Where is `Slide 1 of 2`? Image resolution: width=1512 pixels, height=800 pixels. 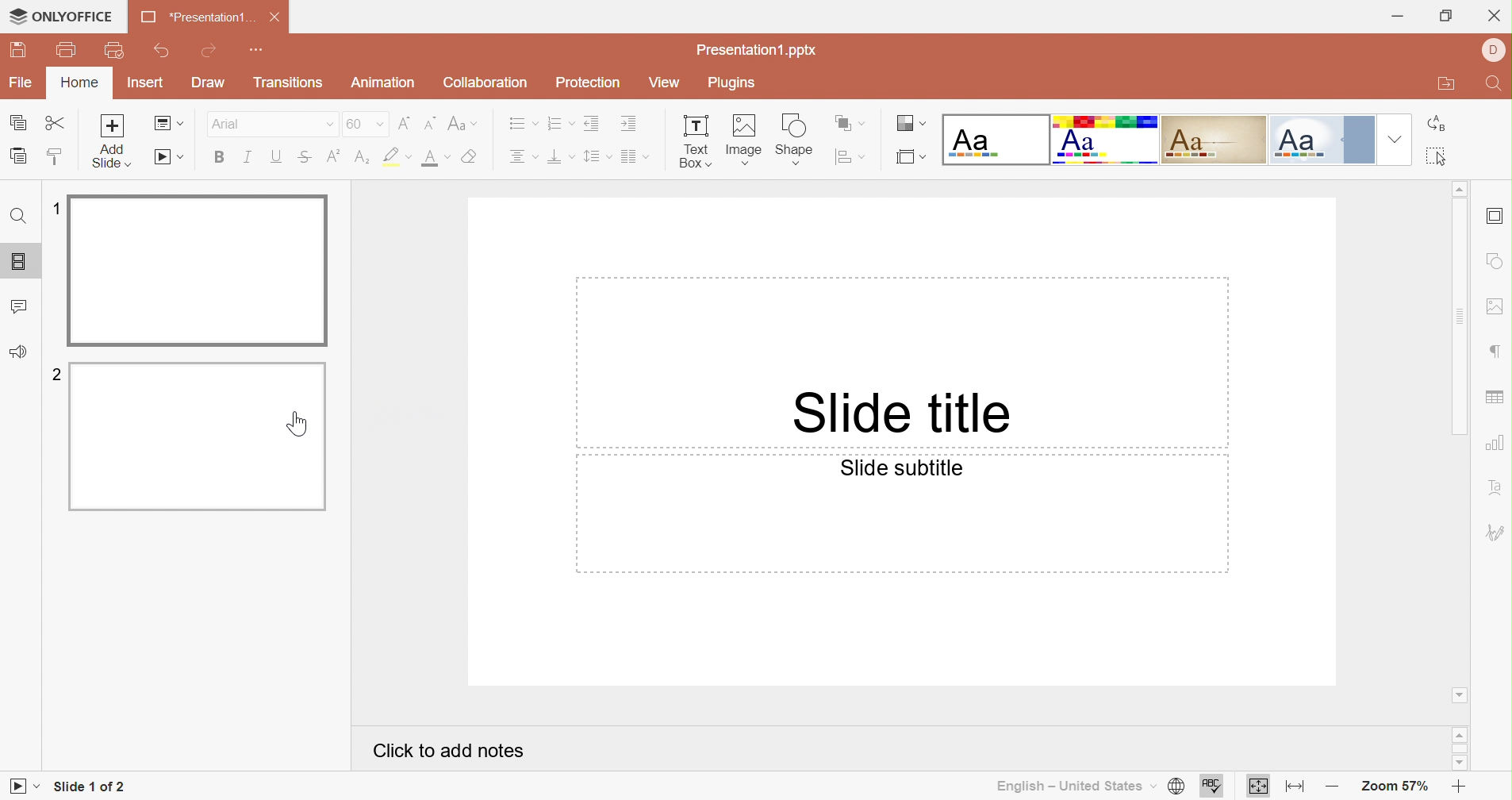
Slide 1 of 2 is located at coordinates (90, 787).